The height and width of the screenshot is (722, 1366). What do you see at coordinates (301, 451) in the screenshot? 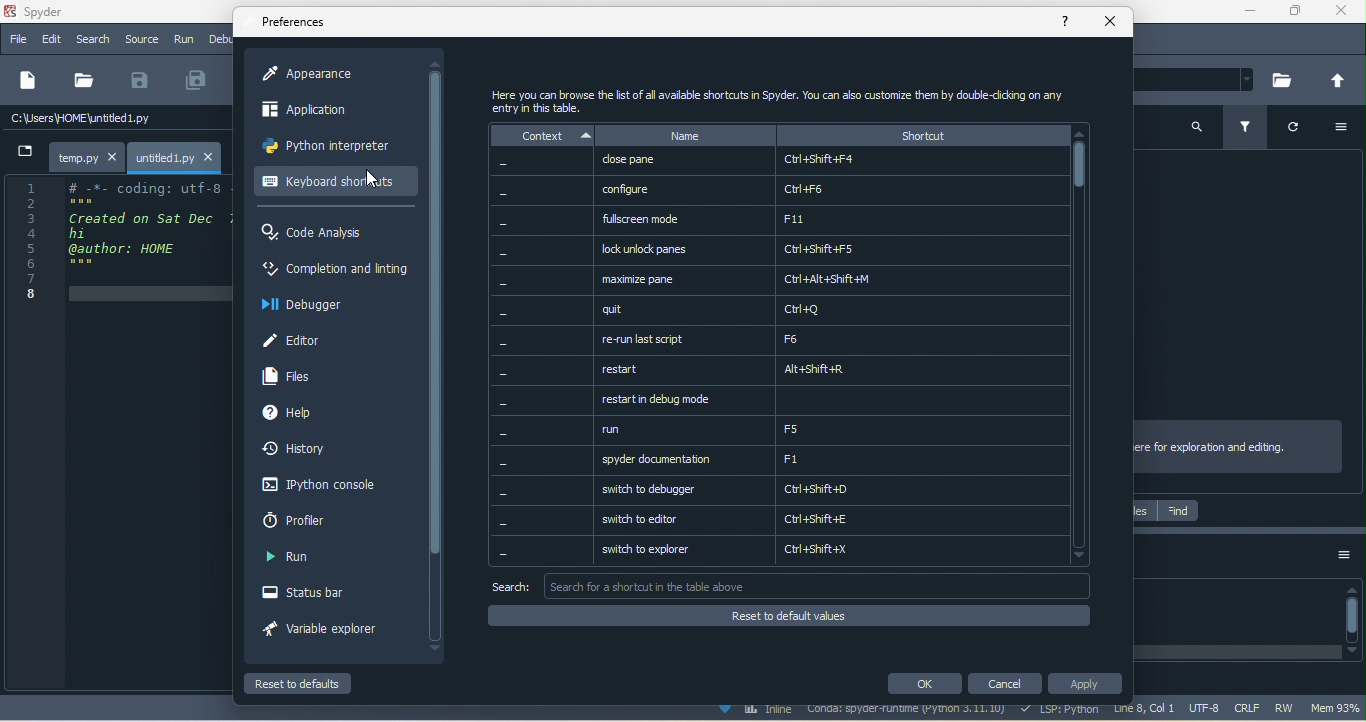
I see `history` at bounding box center [301, 451].